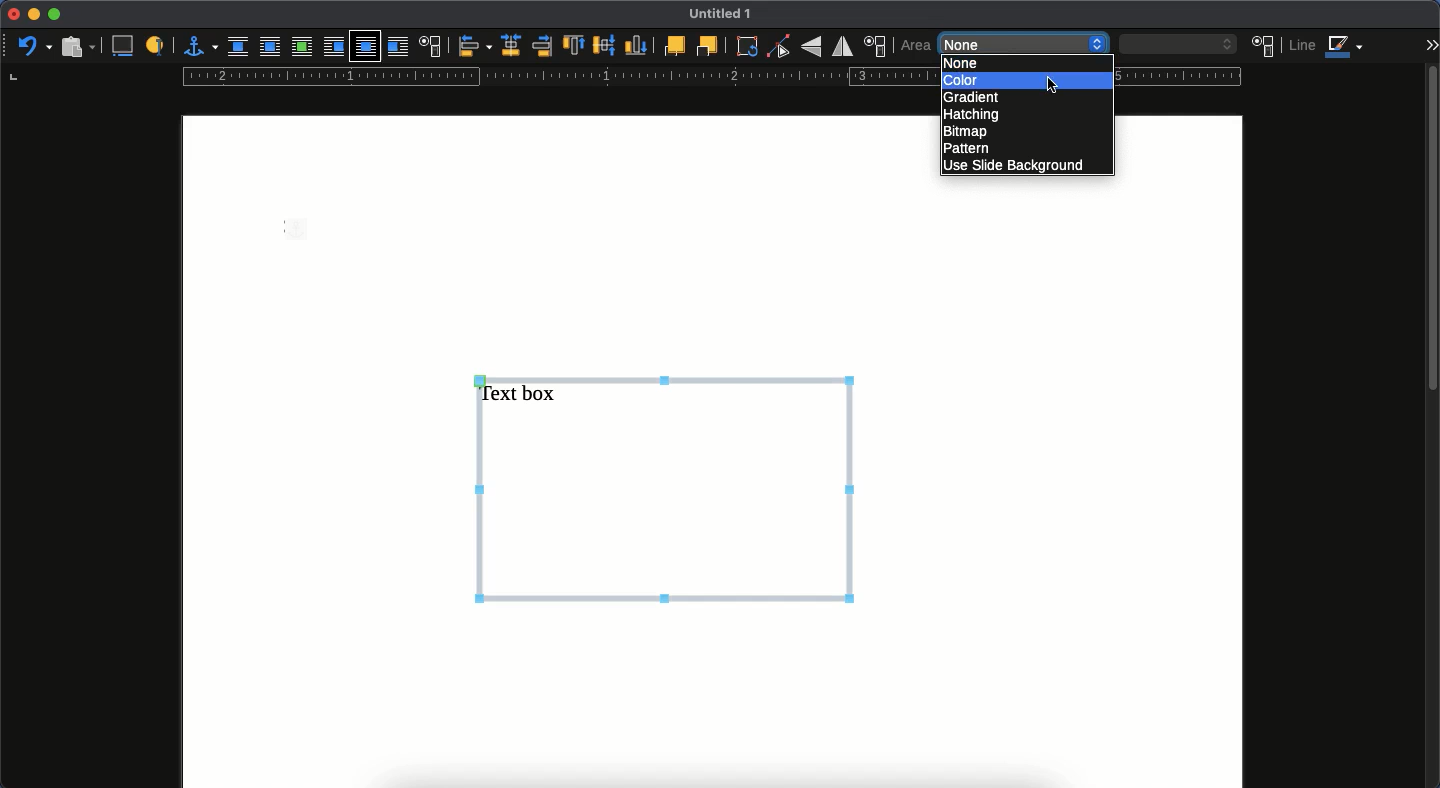 This screenshot has width=1440, height=788. What do you see at coordinates (673, 45) in the screenshot?
I see `front one` at bounding box center [673, 45].